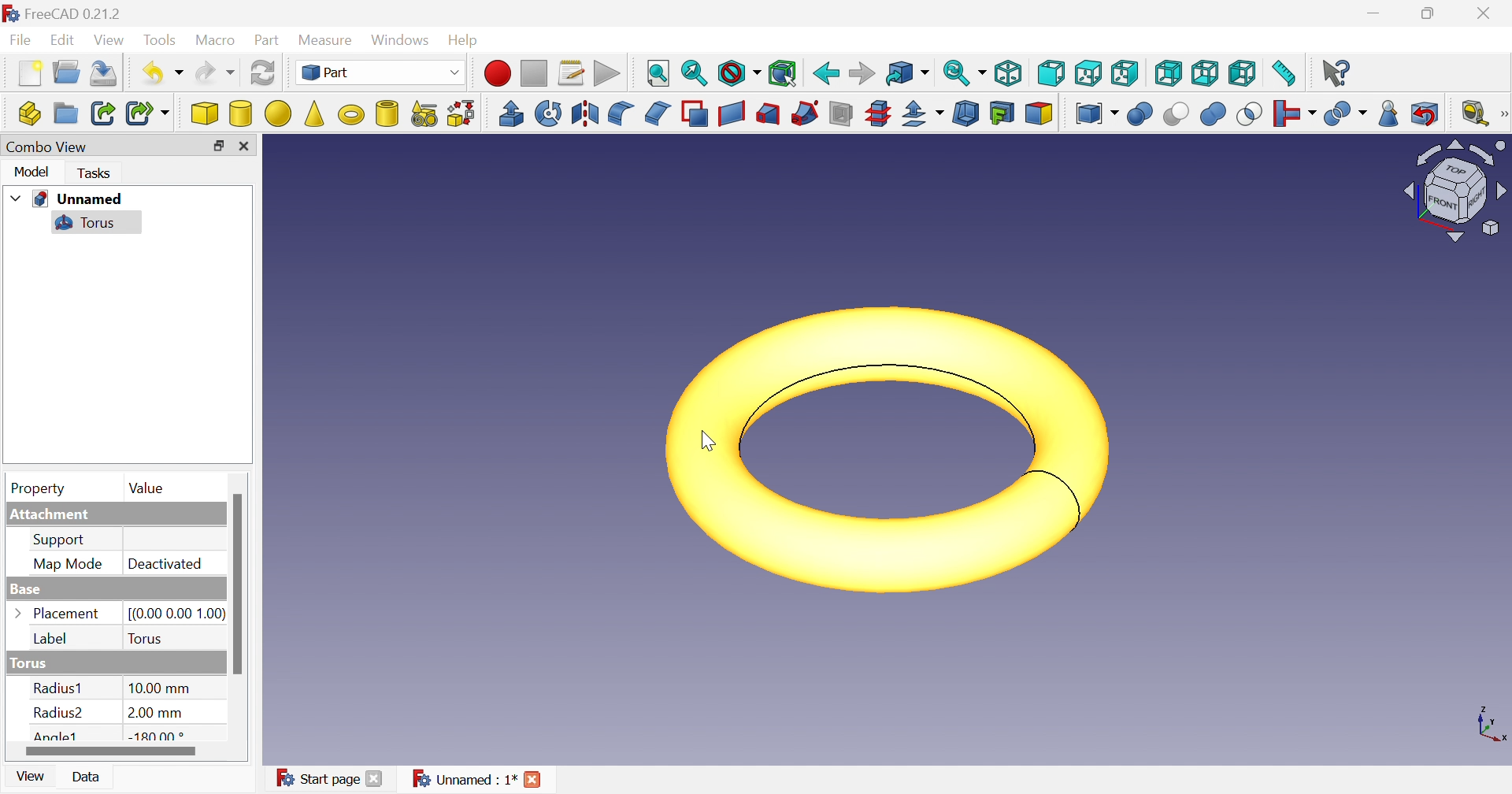 The width and height of the screenshot is (1512, 794). Describe the element at coordinates (768, 114) in the screenshot. I see `Loft` at that location.